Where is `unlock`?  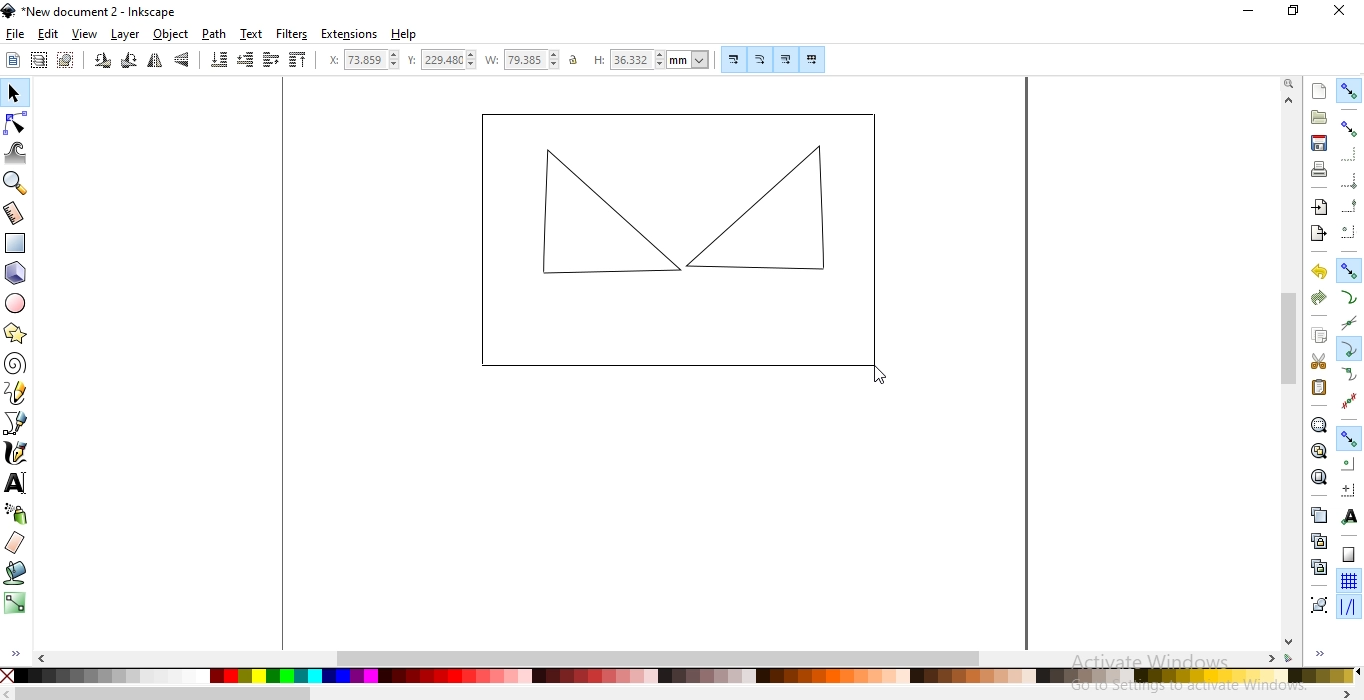
unlock is located at coordinates (575, 59).